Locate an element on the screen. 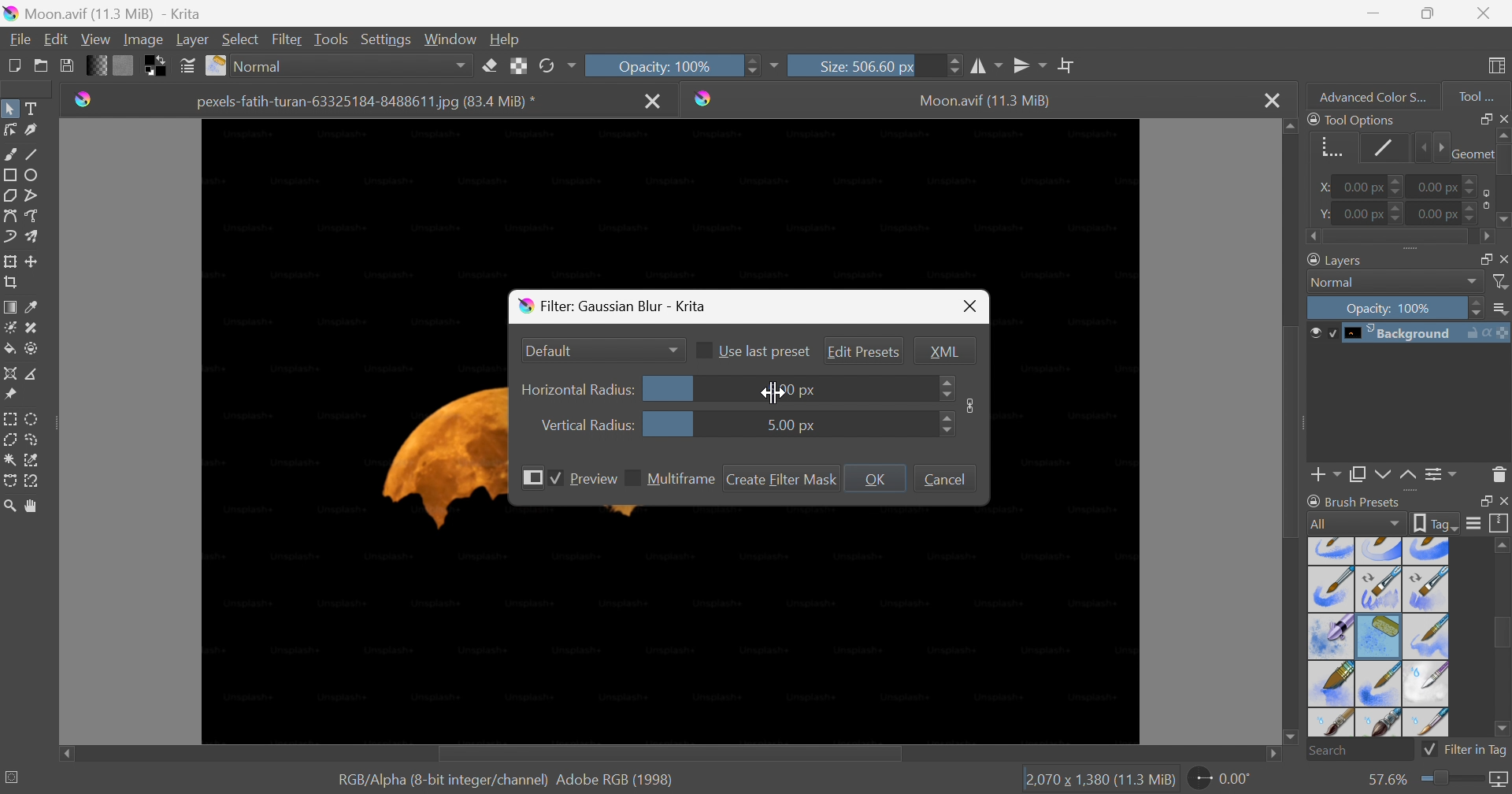 The image size is (1512, 794). Restore down is located at coordinates (1480, 258).